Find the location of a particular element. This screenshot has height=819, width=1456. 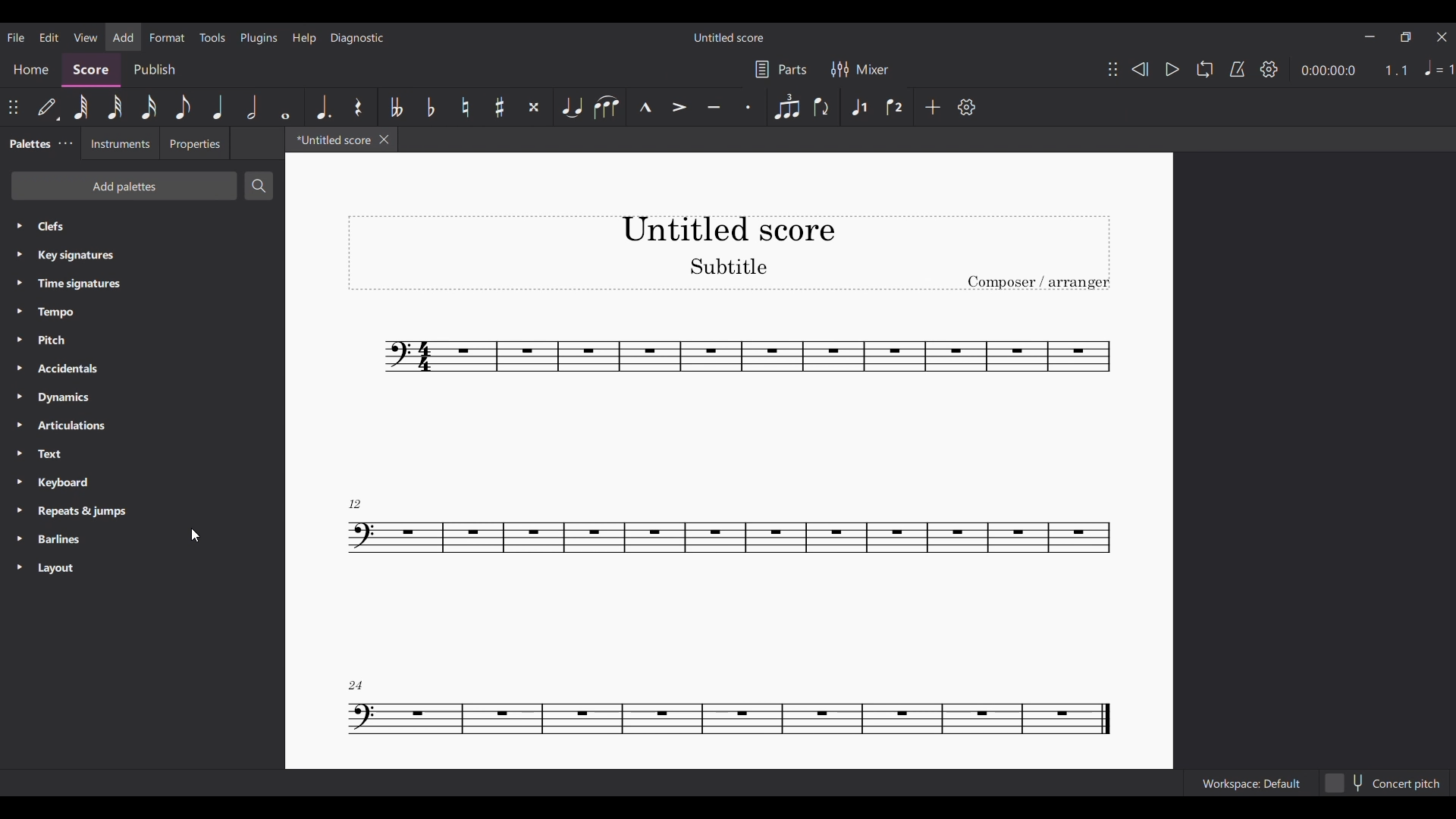

Pitch is located at coordinates (43, 340).